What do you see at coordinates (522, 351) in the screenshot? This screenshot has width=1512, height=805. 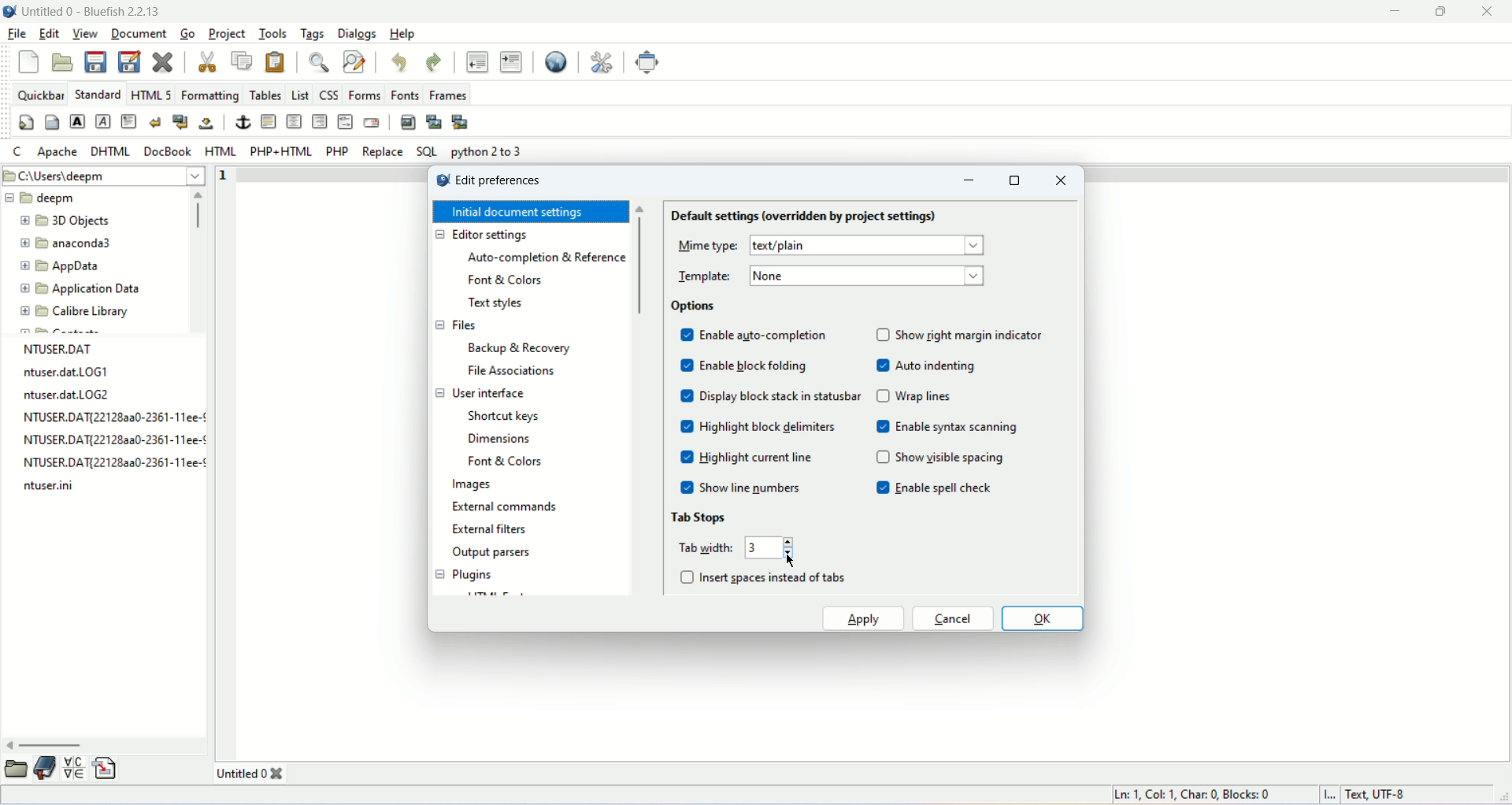 I see `backup and recovery` at bounding box center [522, 351].